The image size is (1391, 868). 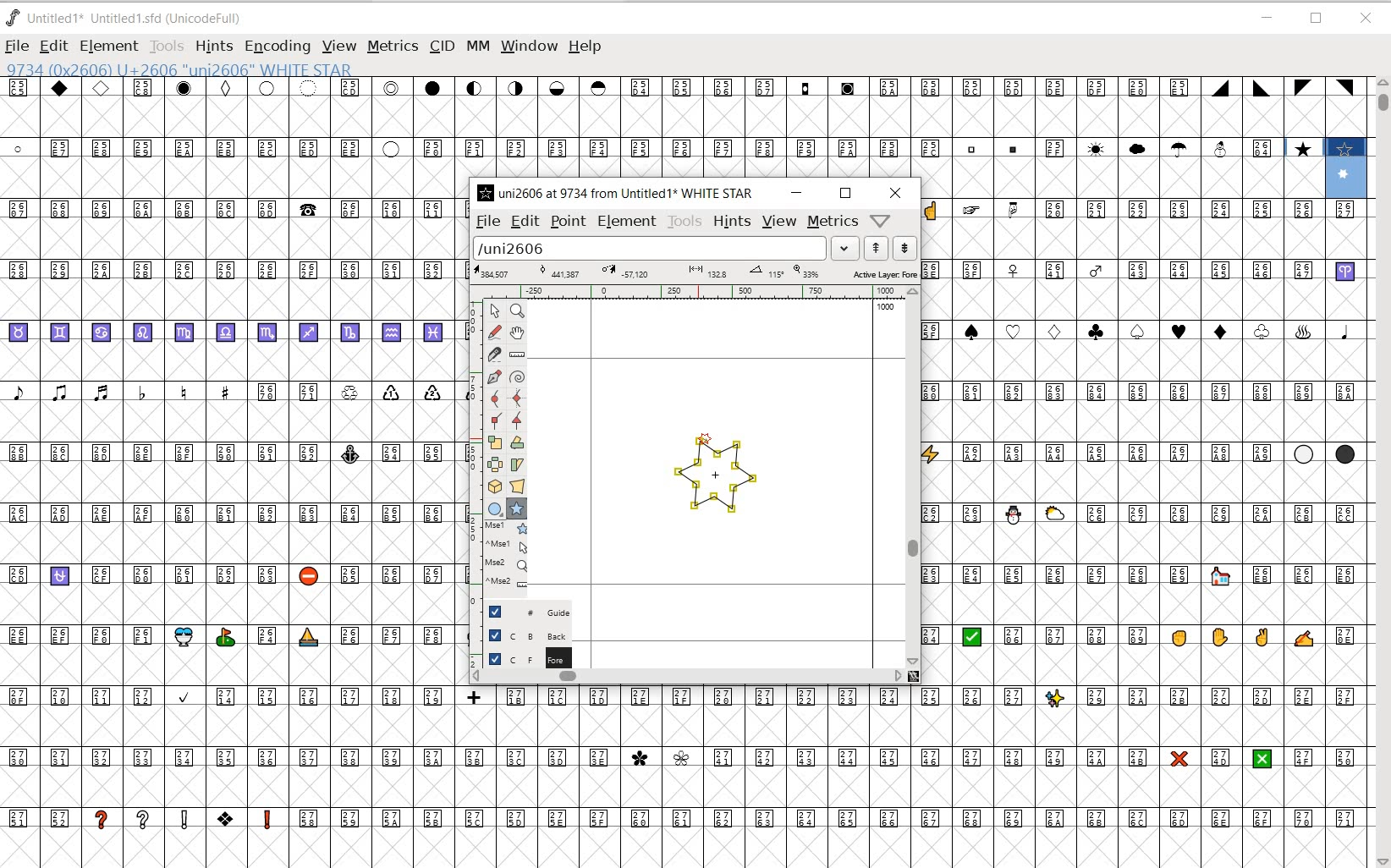 What do you see at coordinates (712, 481) in the screenshot?
I see `a star shape glyph creation` at bounding box center [712, 481].